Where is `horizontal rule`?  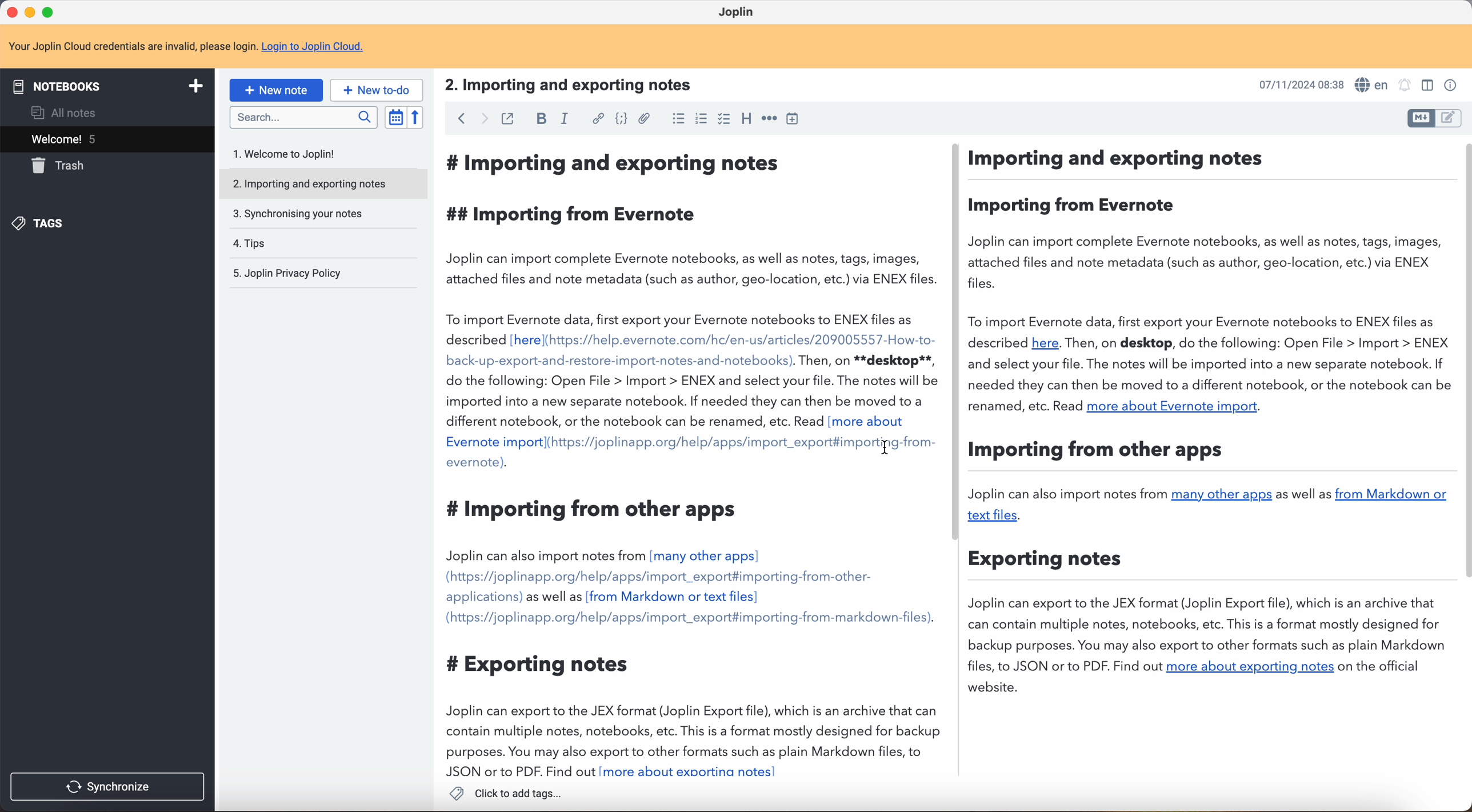 horizontal rule is located at coordinates (770, 120).